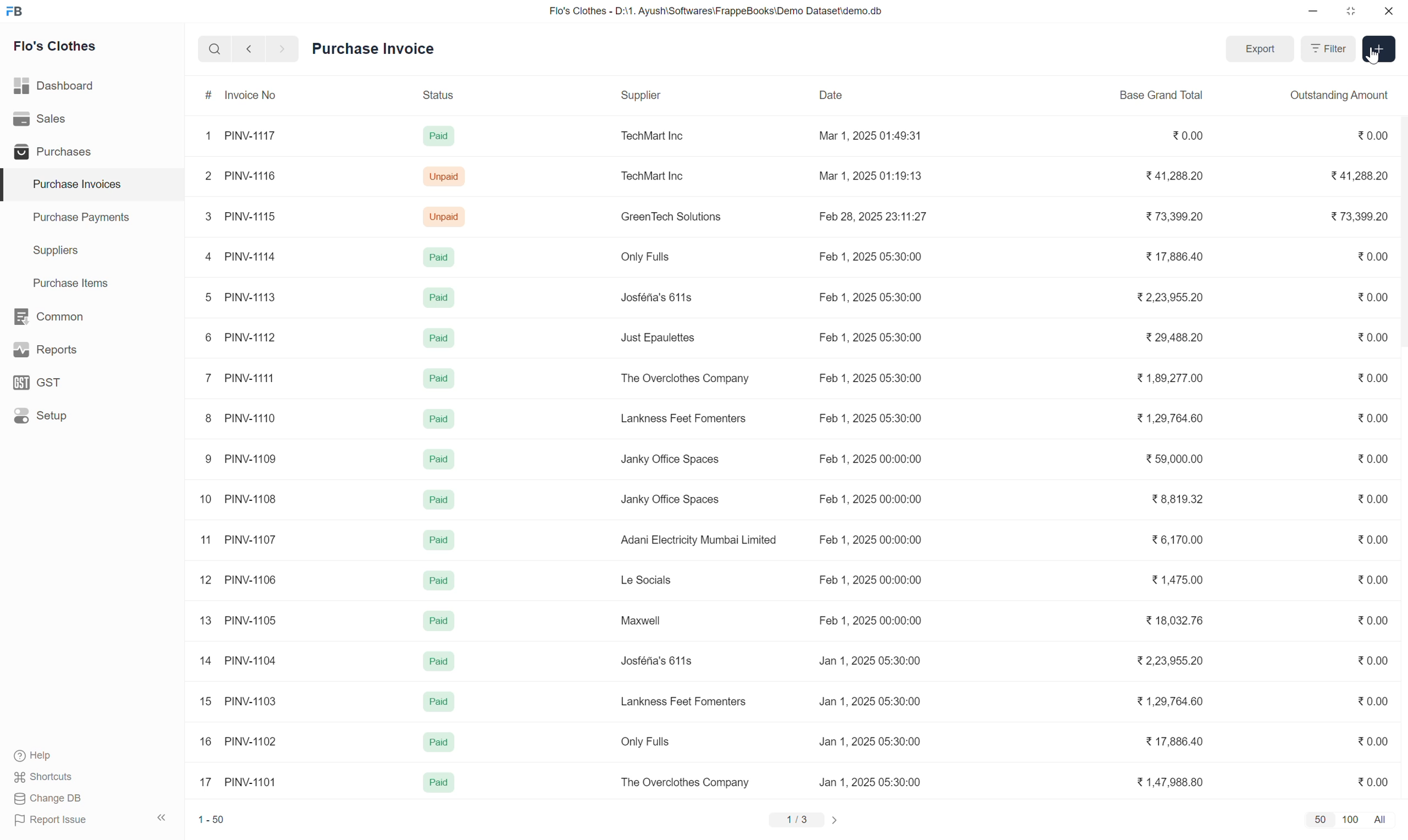 The width and height of the screenshot is (1408, 840). Describe the element at coordinates (52, 820) in the screenshot. I see `Report Issue` at that location.